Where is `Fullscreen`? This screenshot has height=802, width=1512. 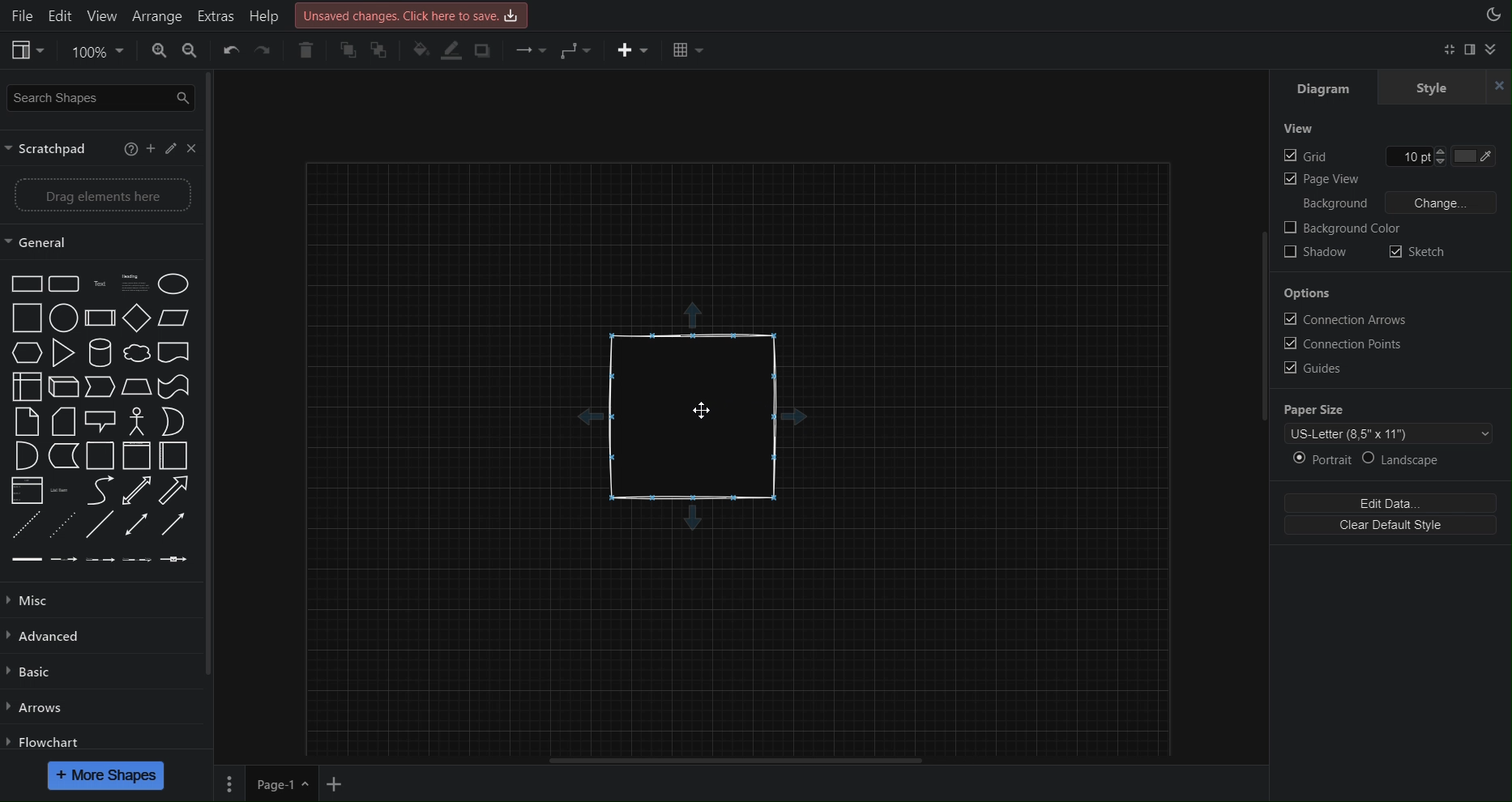 Fullscreen is located at coordinates (1447, 51).